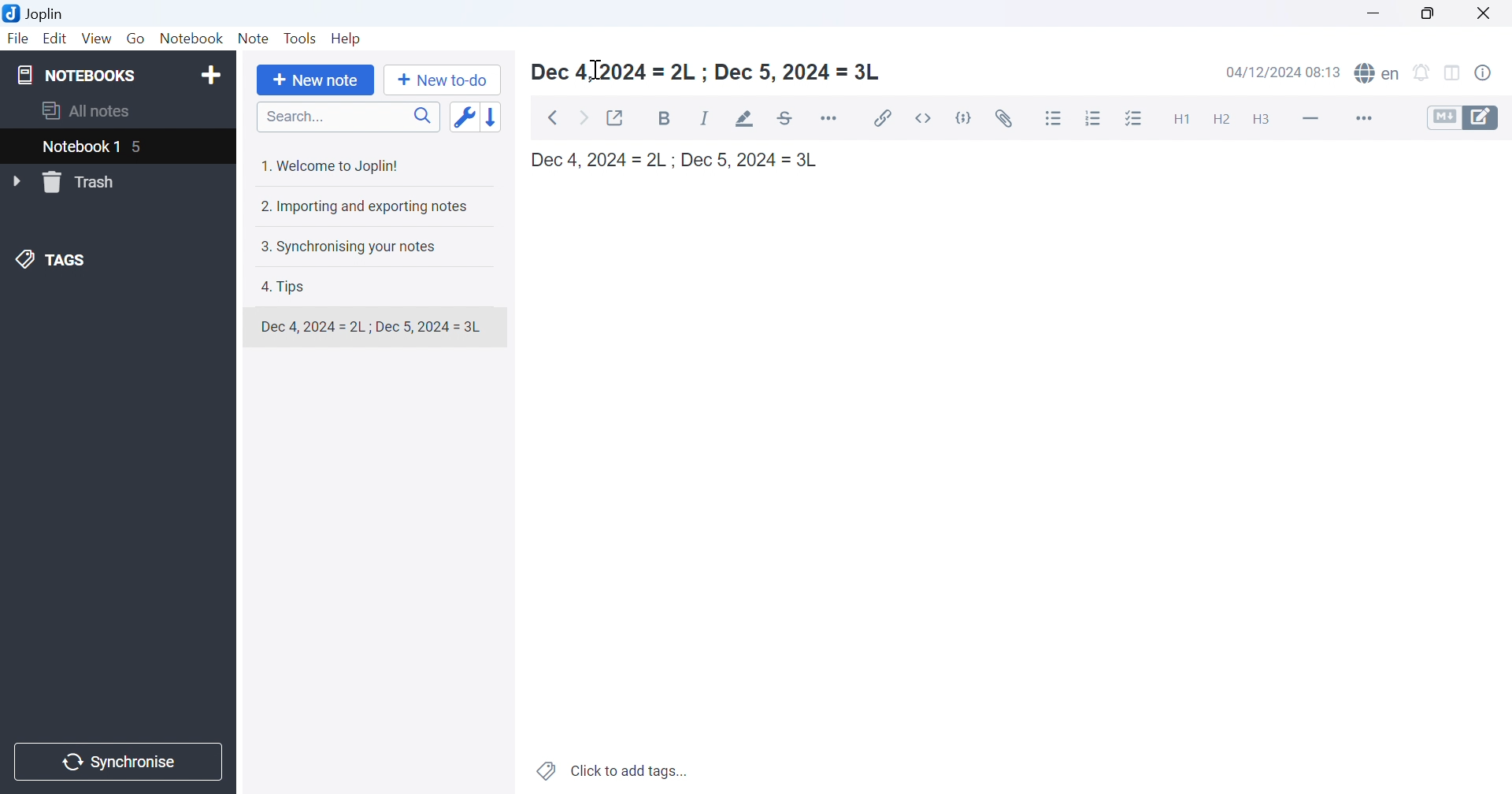 The width and height of the screenshot is (1512, 794). What do you see at coordinates (681, 160) in the screenshot?
I see `Dec 4, 2024 = 2L ; Dec 5, 2024 = 3L` at bounding box center [681, 160].